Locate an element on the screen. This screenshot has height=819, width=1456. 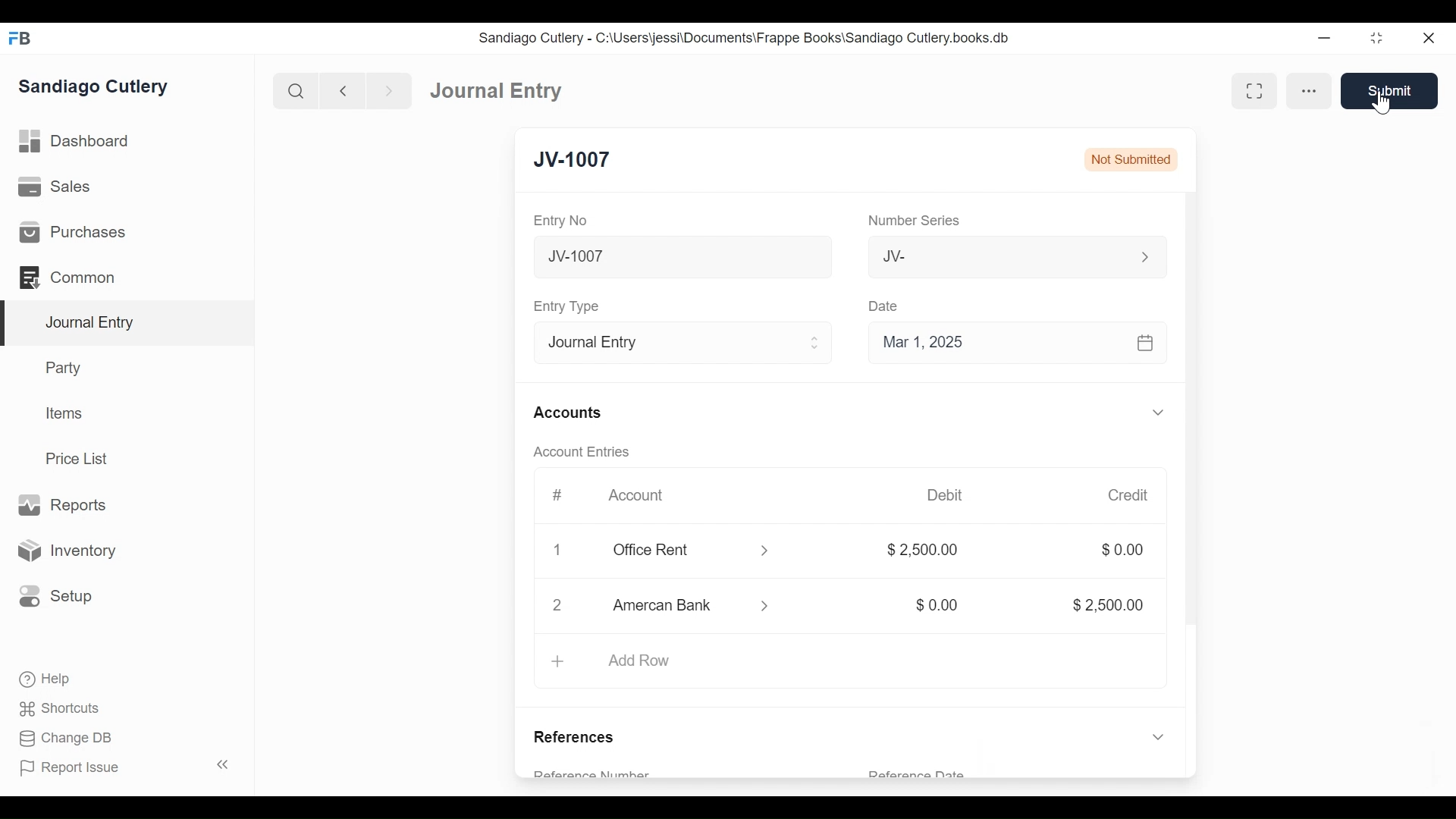
Submit is located at coordinates (1388, 90).